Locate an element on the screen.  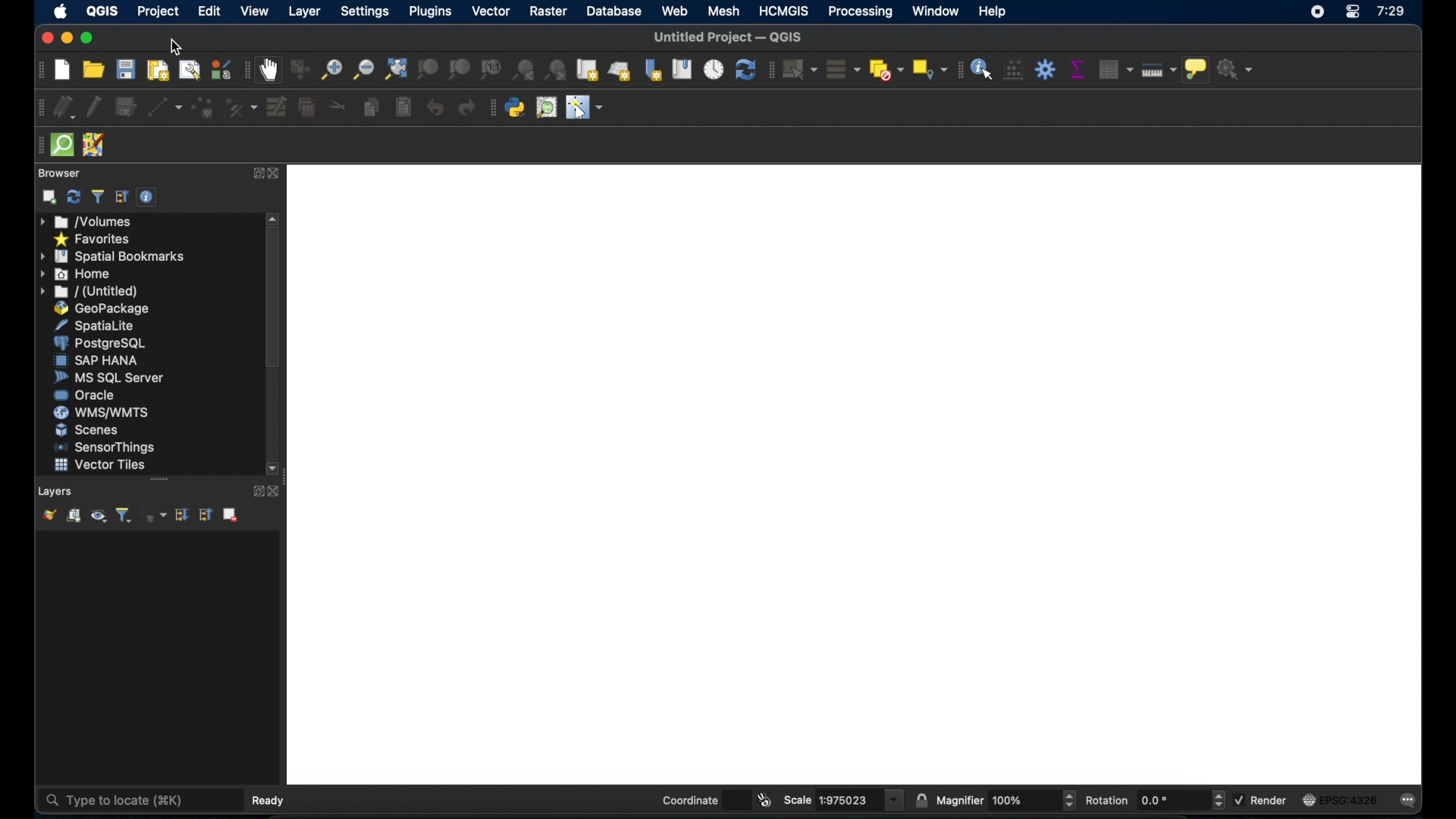
expand is located at coordinates (256, 491).